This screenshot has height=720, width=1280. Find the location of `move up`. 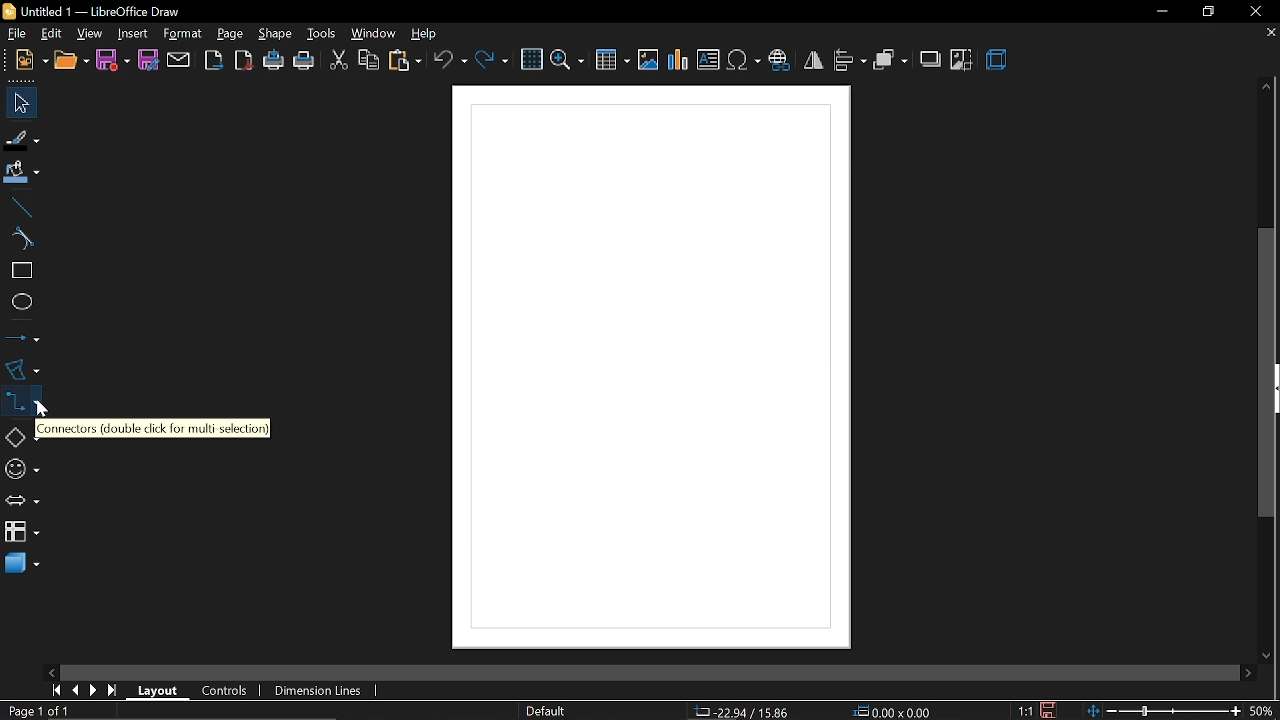

move up is located at coordinates (1267, 88).